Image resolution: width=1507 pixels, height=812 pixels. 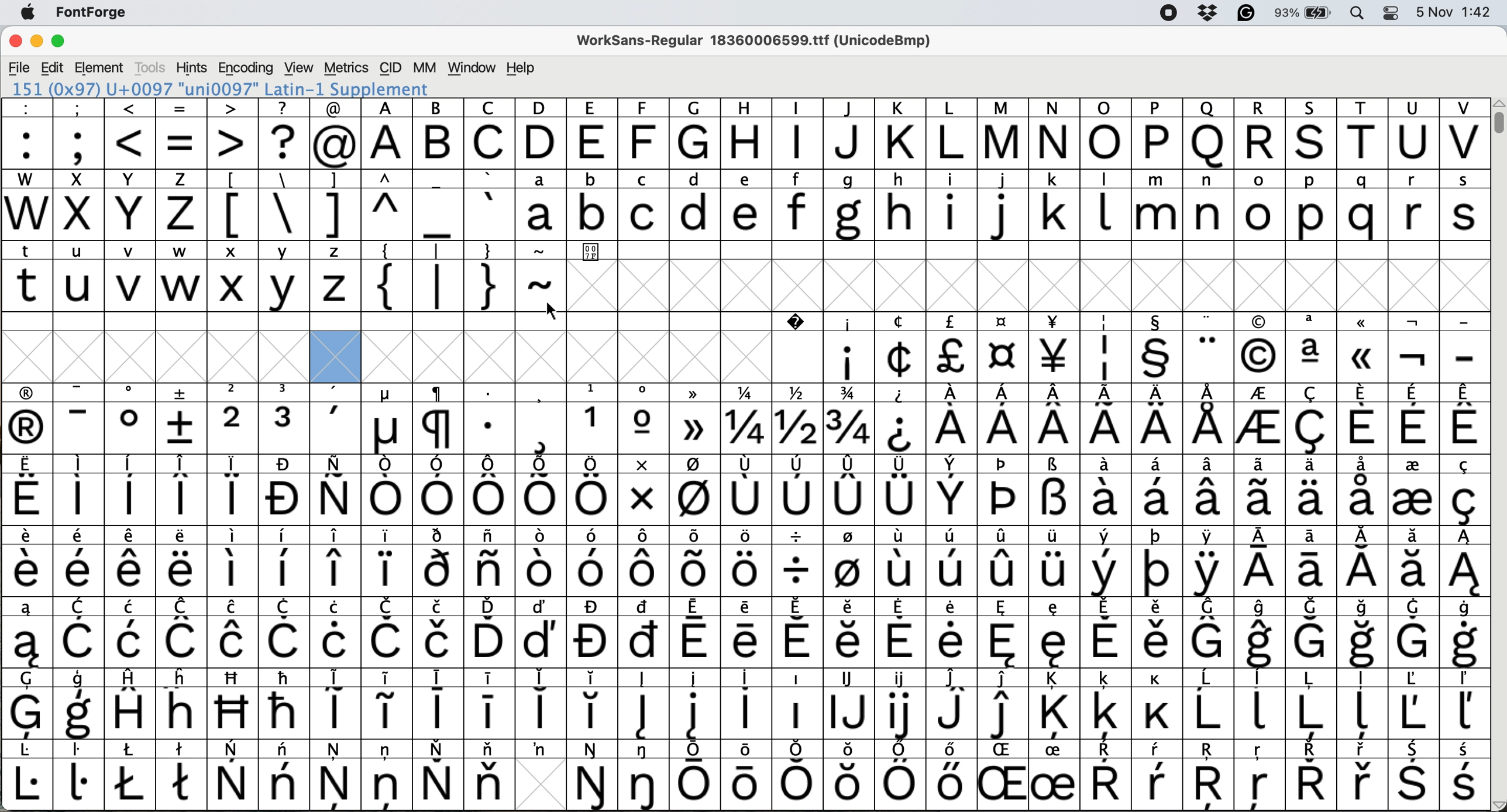 What do you see at coordinates (797, 703) in the screenshot?
I see `symbol` at bounding box center [797, 703].